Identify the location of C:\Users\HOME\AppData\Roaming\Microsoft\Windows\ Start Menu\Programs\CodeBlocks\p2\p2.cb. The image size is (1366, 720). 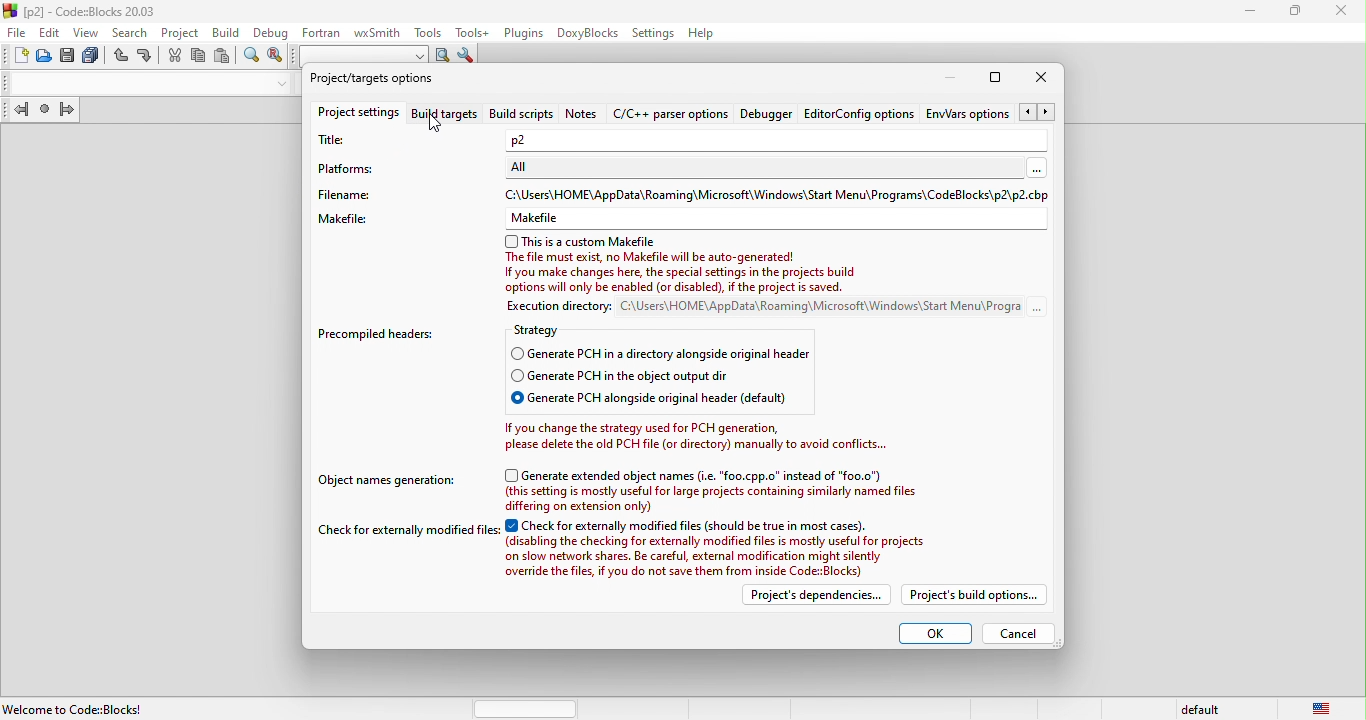
(773, 196).